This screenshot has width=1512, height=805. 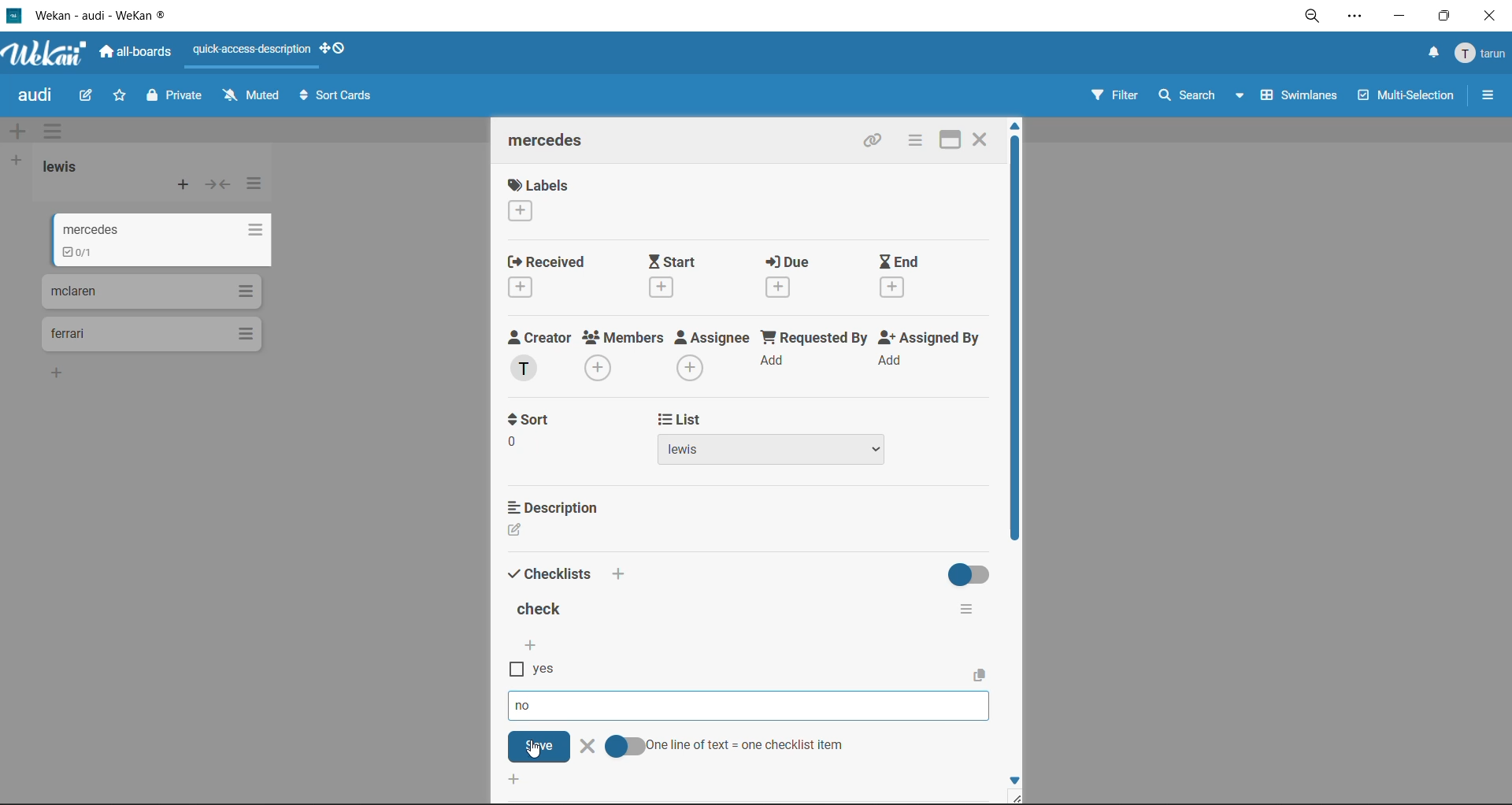 I want to click on checklists, so click(x=550, y=572).